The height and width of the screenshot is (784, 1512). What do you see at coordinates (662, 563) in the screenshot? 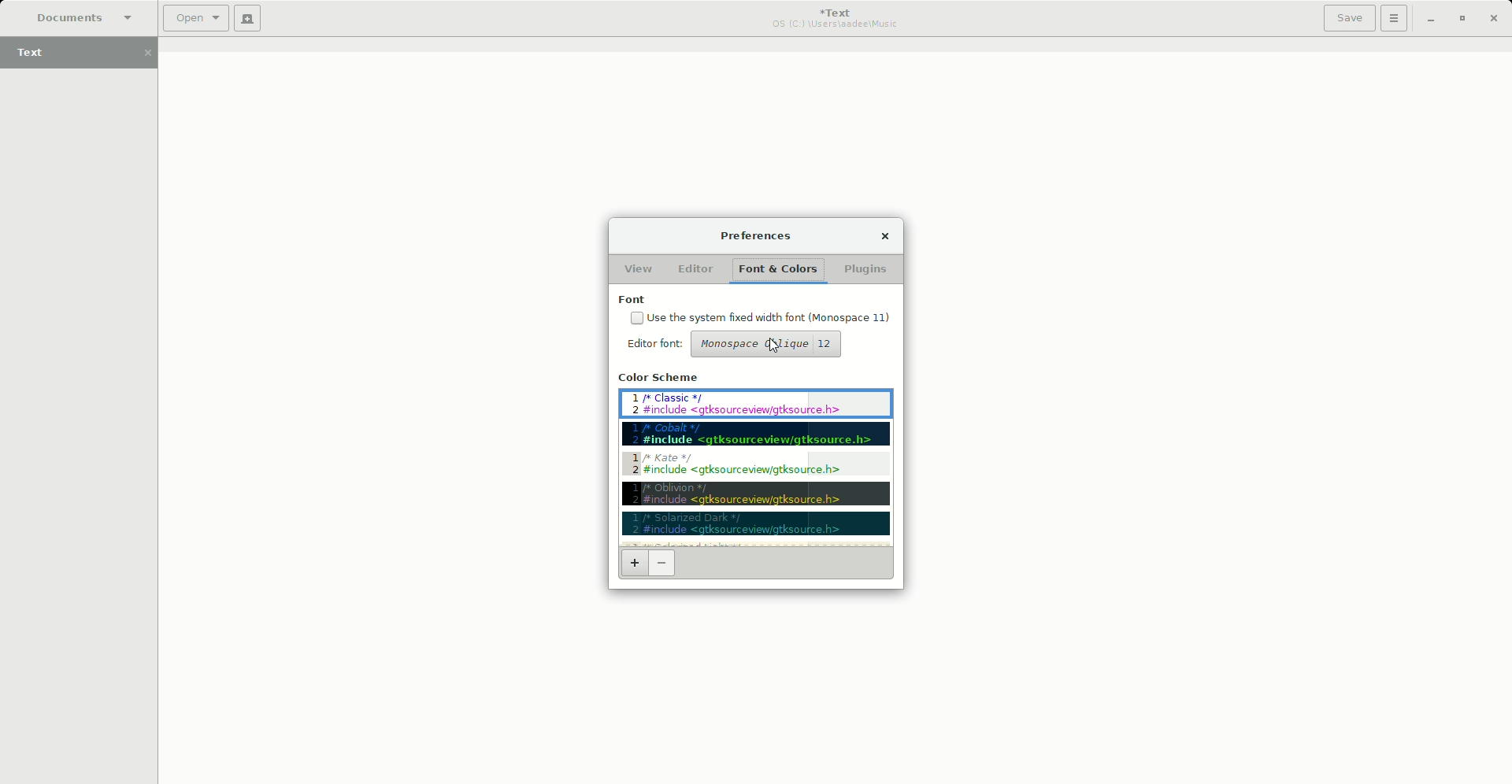
I see `Minus` at bounding box center [662, 563].